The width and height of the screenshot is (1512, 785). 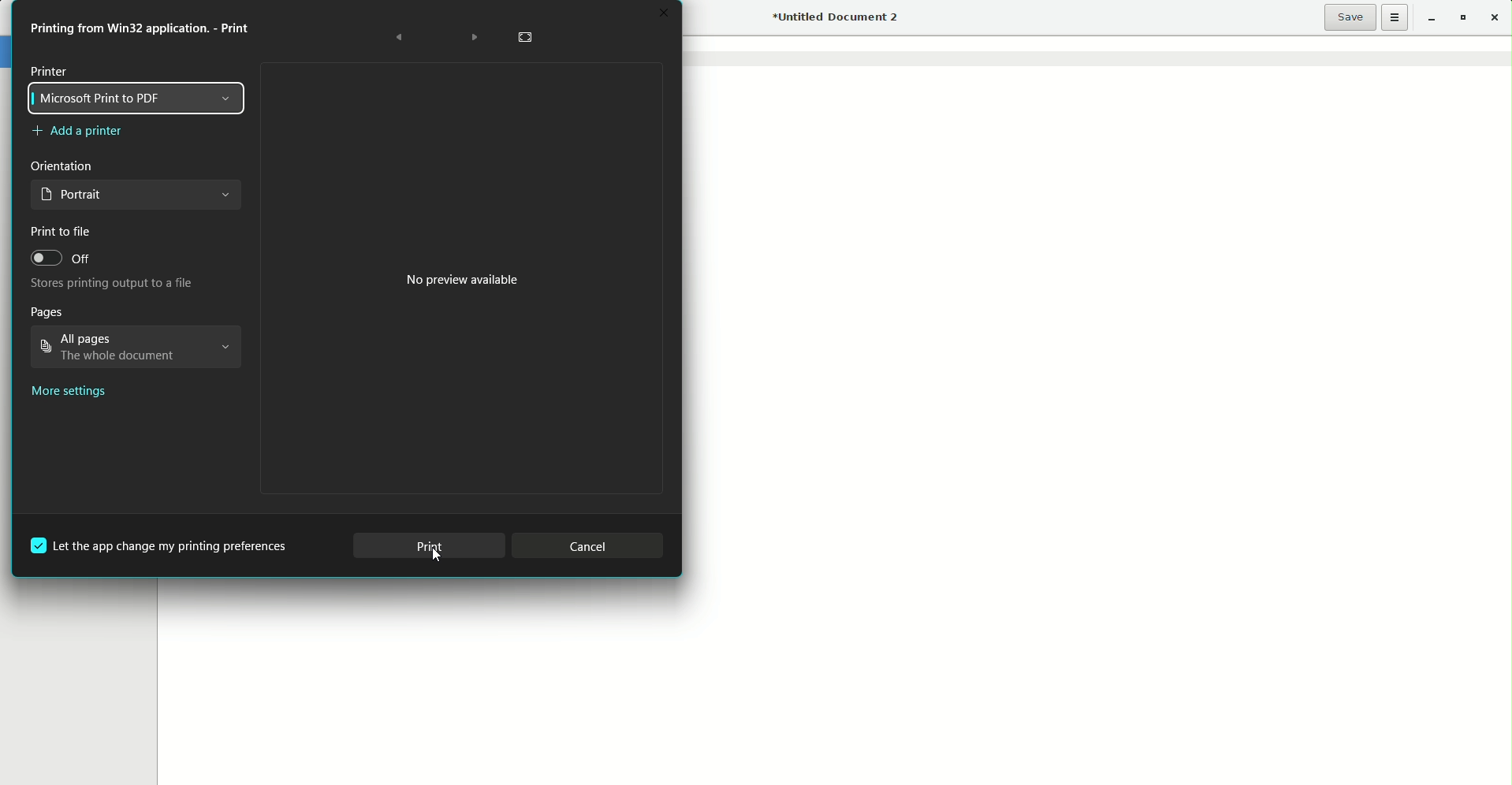 I want to click on Save, so click(x=1350, y=17).